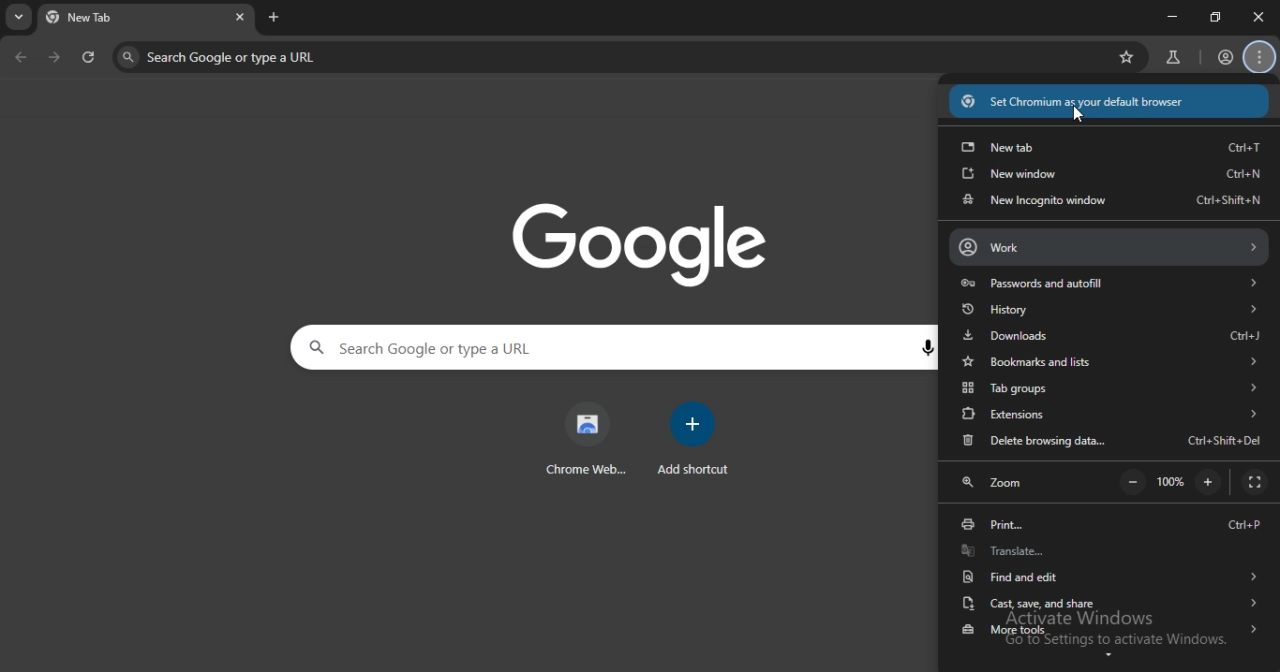 Image resolution: width=1280 pixels, height=672 pixels. I want to click on reload page, so click(94, 58).